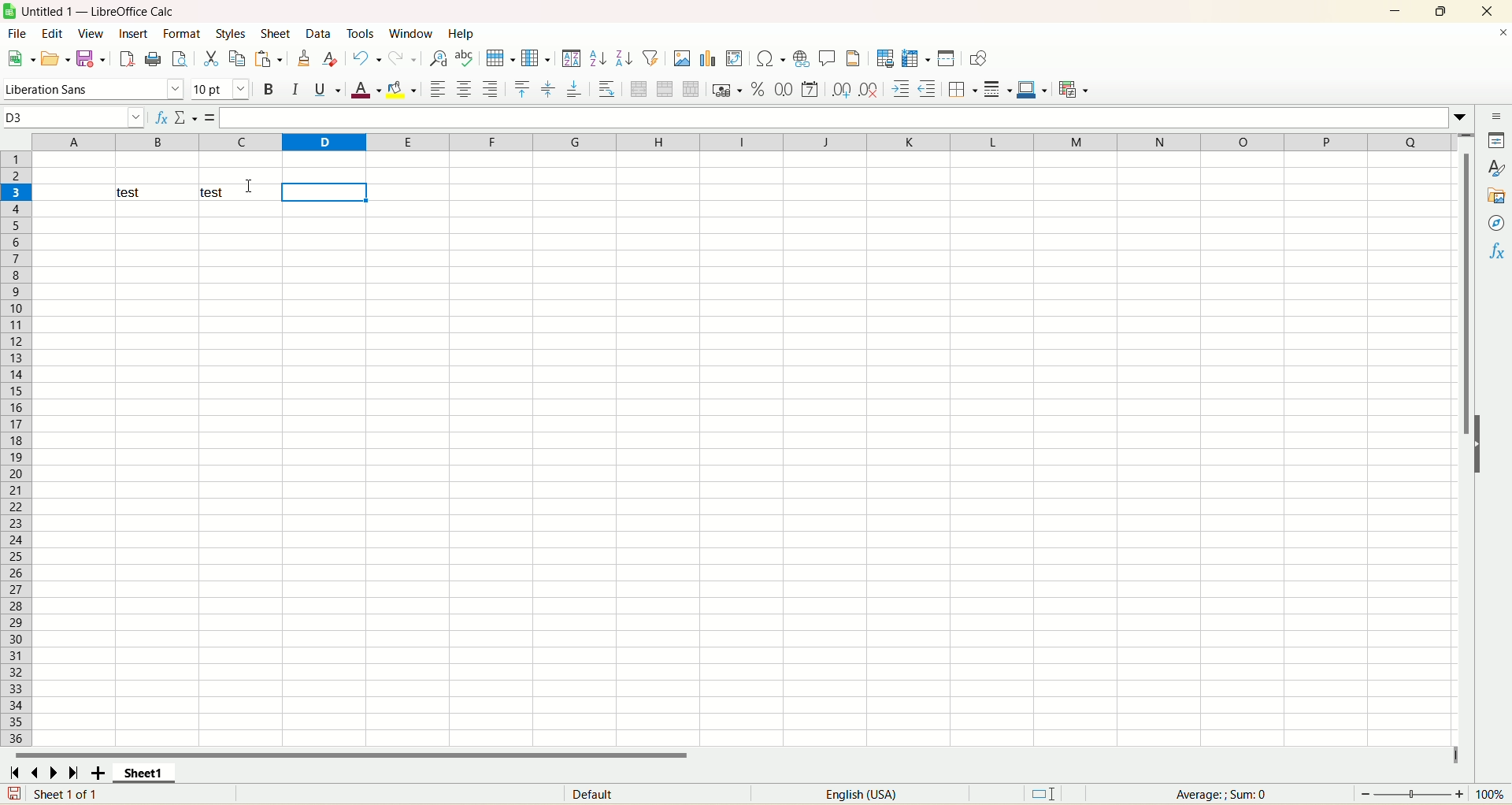  Describe the element at coordinates (1395, 11) in the screenshot. I see `minimize` at that location.